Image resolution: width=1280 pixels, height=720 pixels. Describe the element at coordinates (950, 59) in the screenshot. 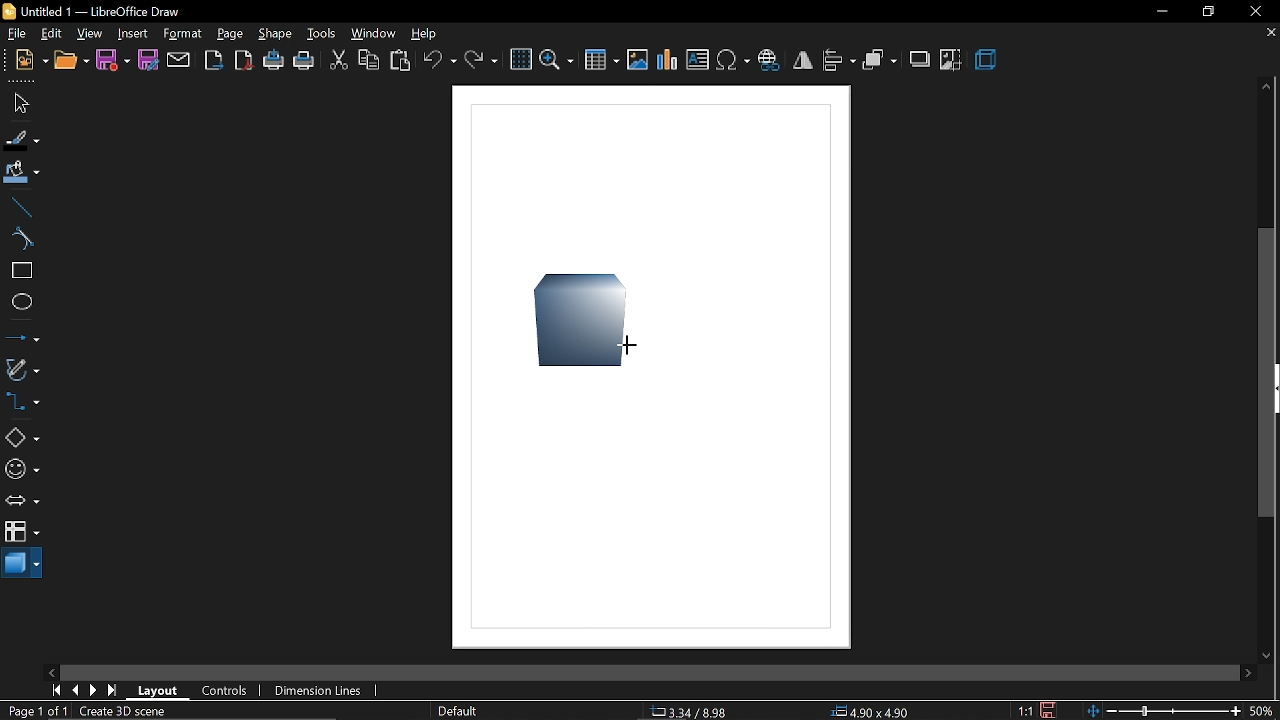

I see `crop` at that location.